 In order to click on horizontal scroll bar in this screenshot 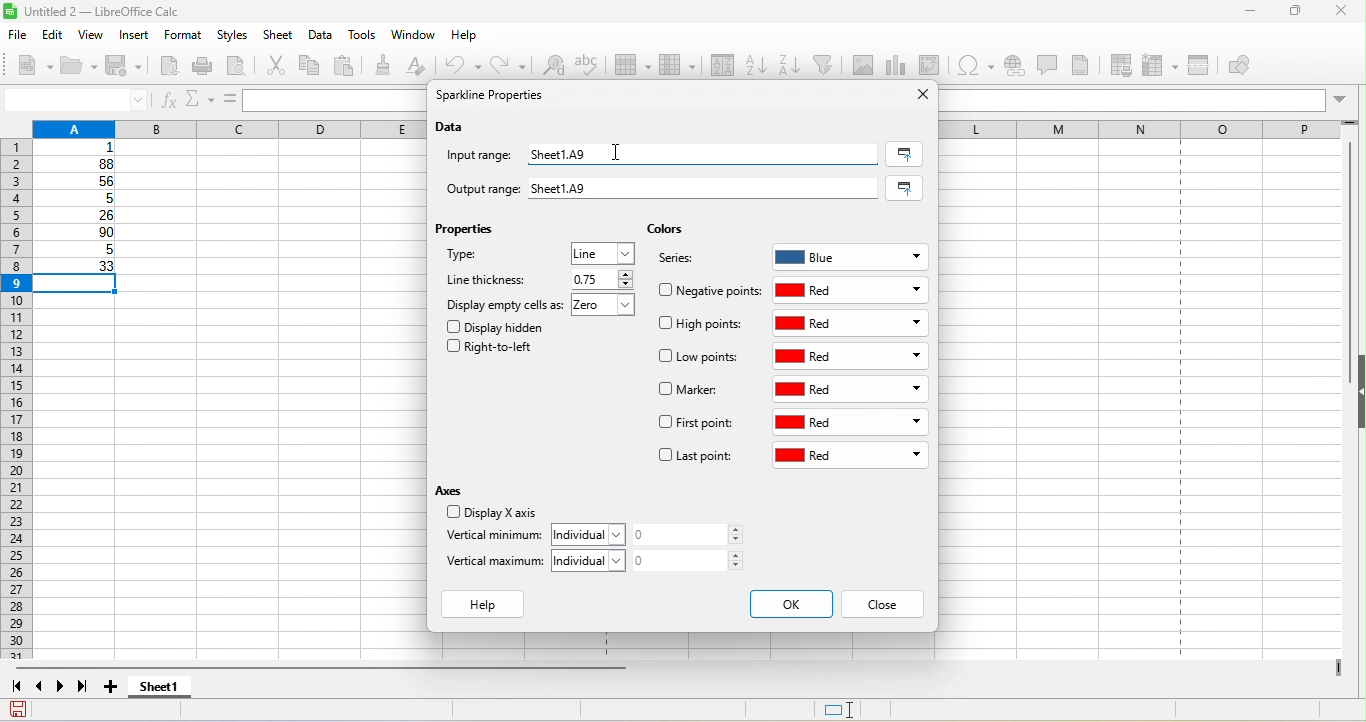, I will do `click(327, 670)`.